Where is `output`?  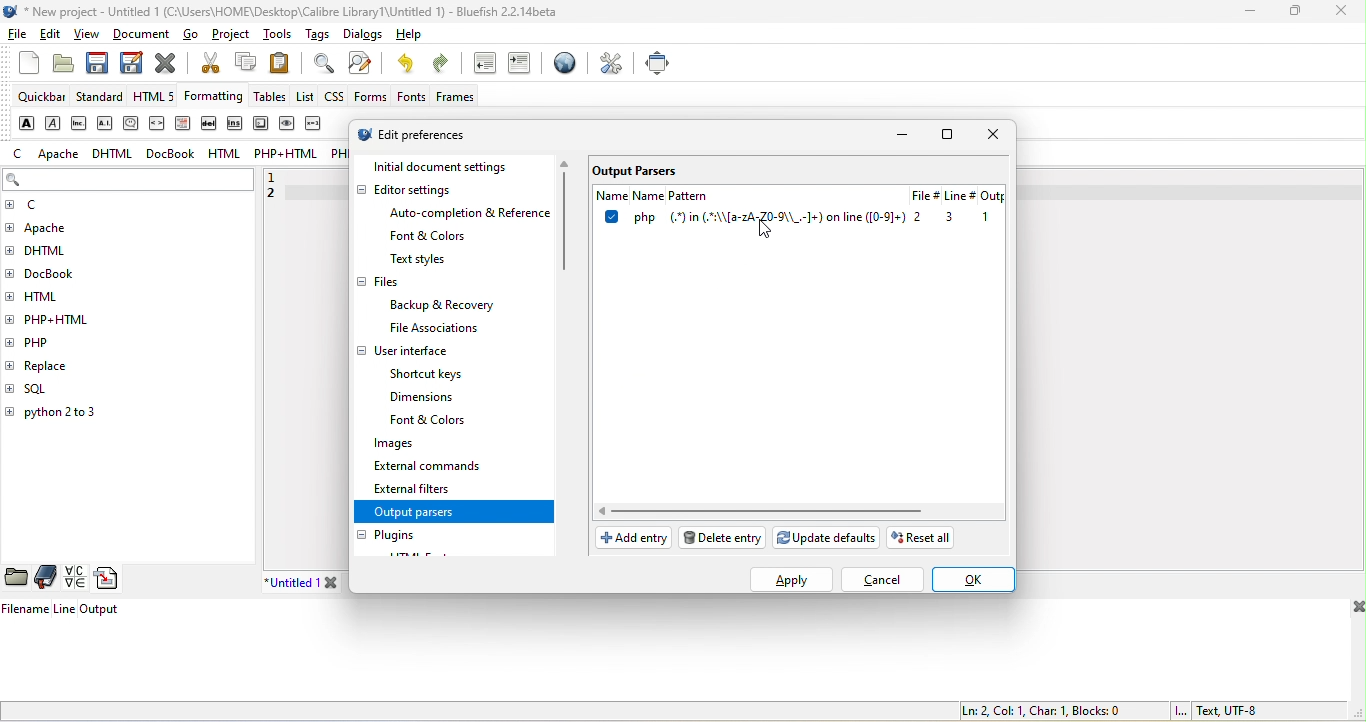 output is located at coordinates (990, 204).